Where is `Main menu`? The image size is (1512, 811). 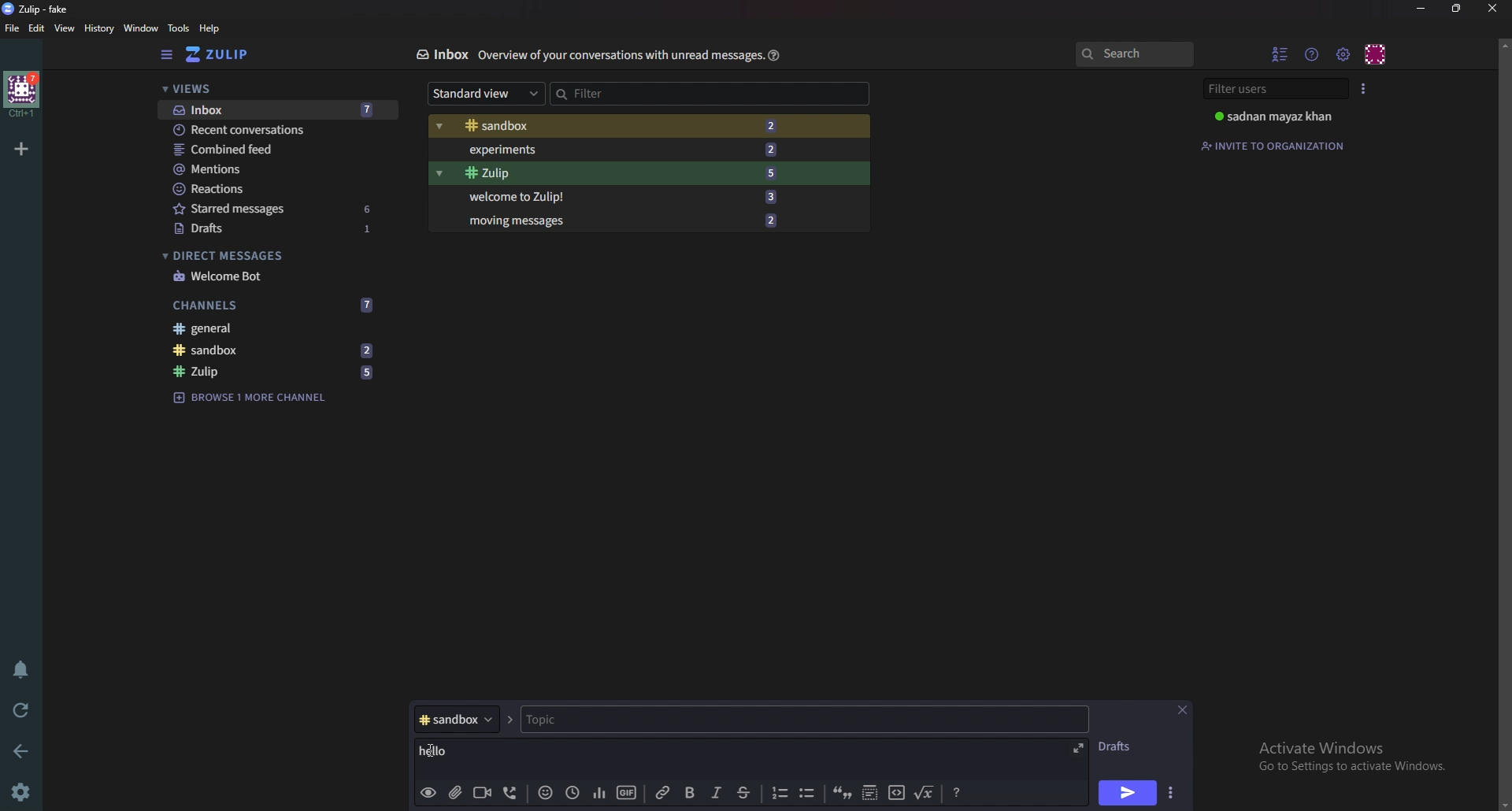 Main menu is located at coordinates (1345, 54).